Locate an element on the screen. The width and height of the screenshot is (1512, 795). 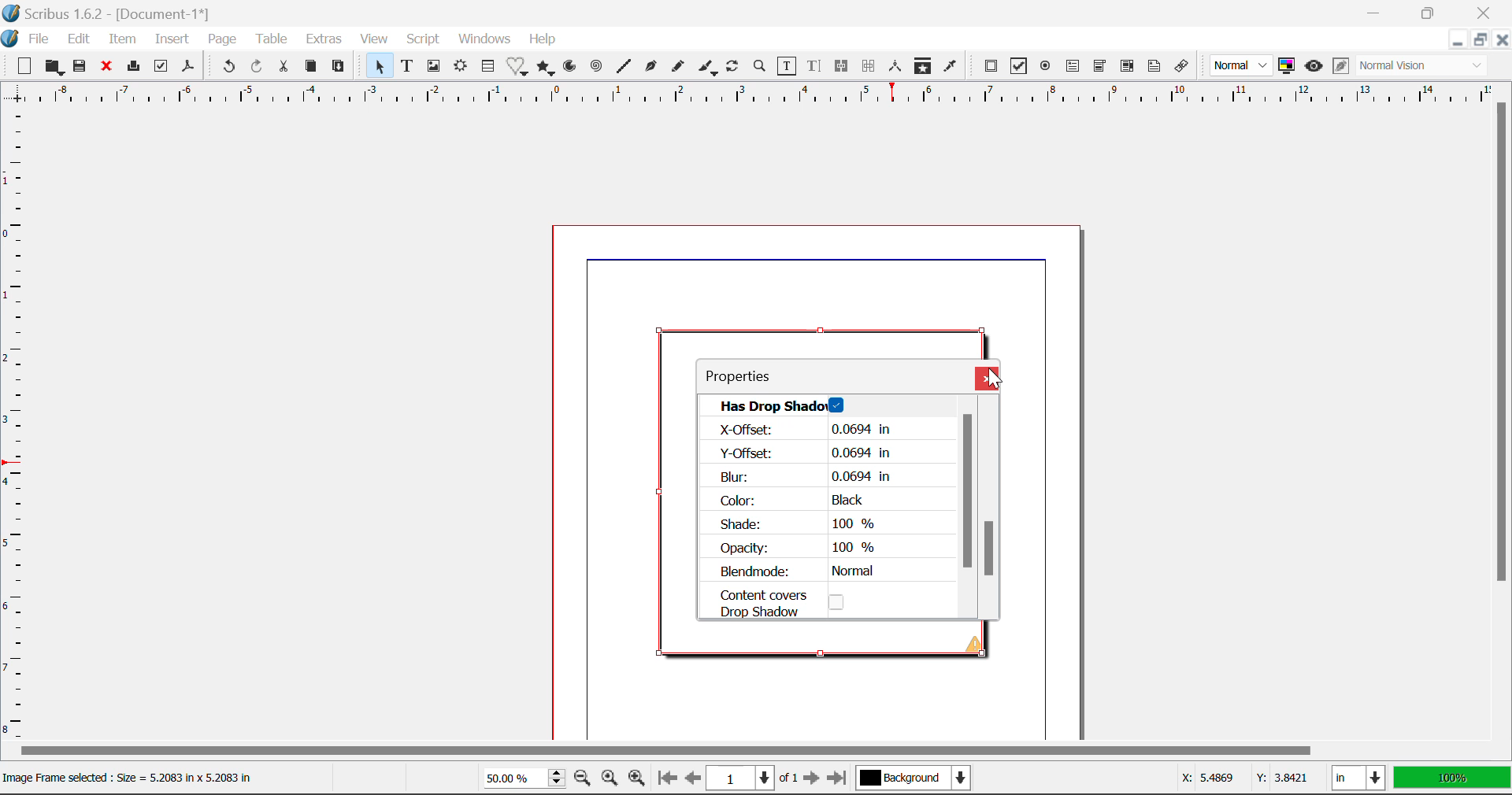
Discard is located at coordinates (109, 68).